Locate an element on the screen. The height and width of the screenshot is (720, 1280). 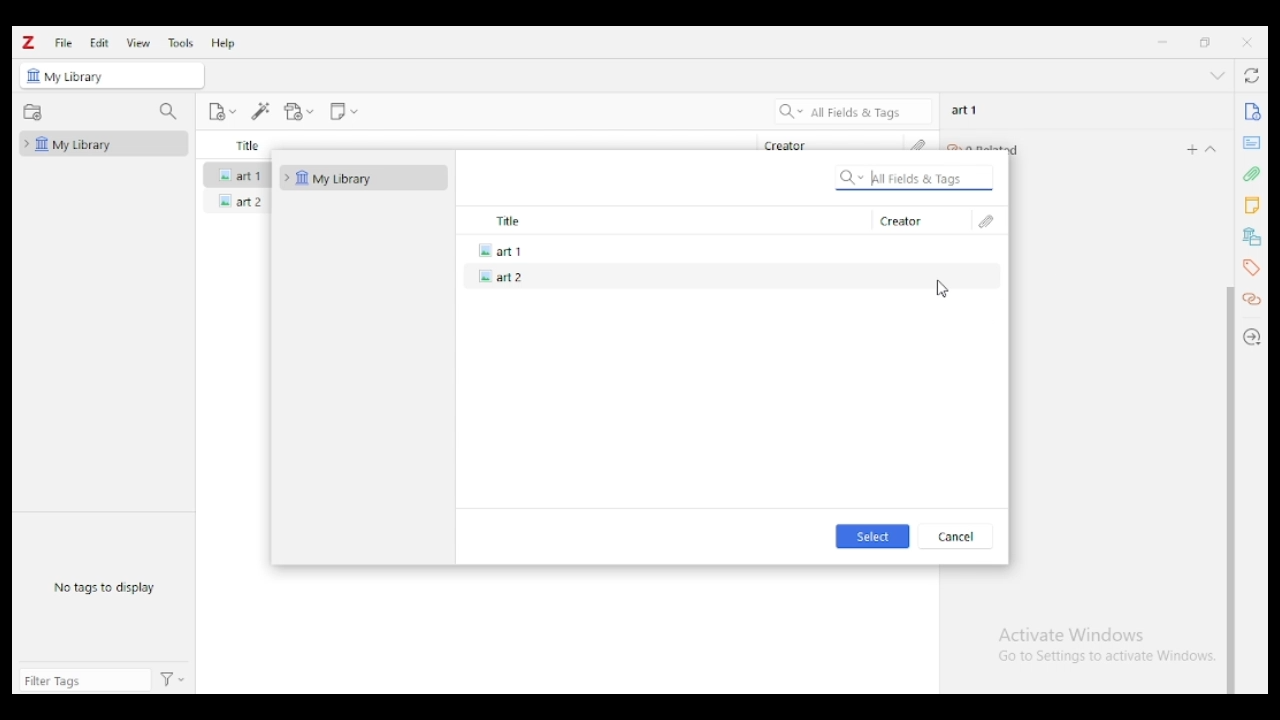
attachments is located at coordinates (1251, 173).